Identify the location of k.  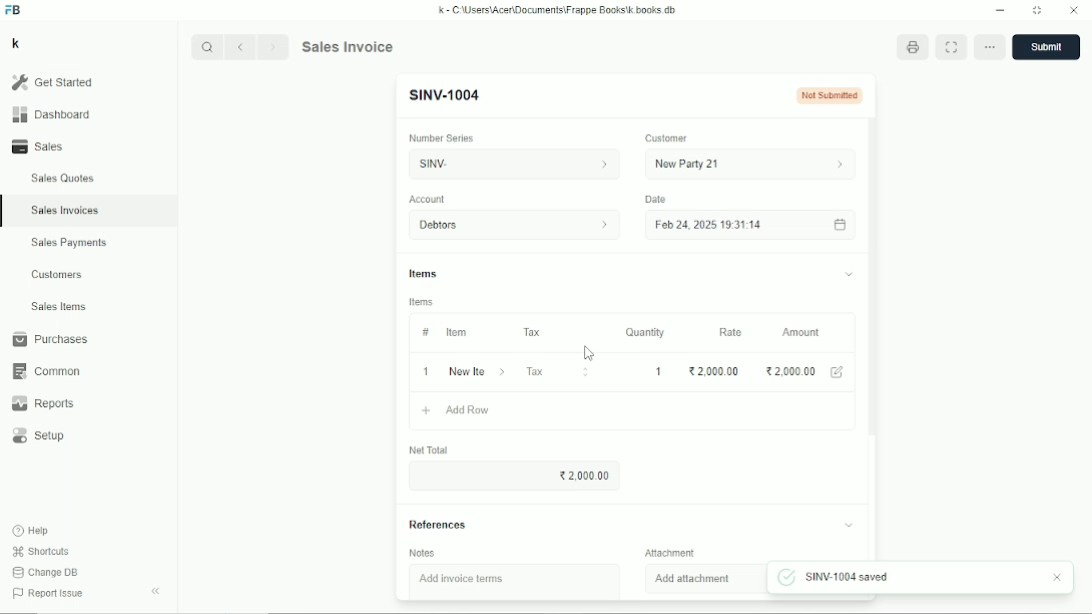
(15, 43).